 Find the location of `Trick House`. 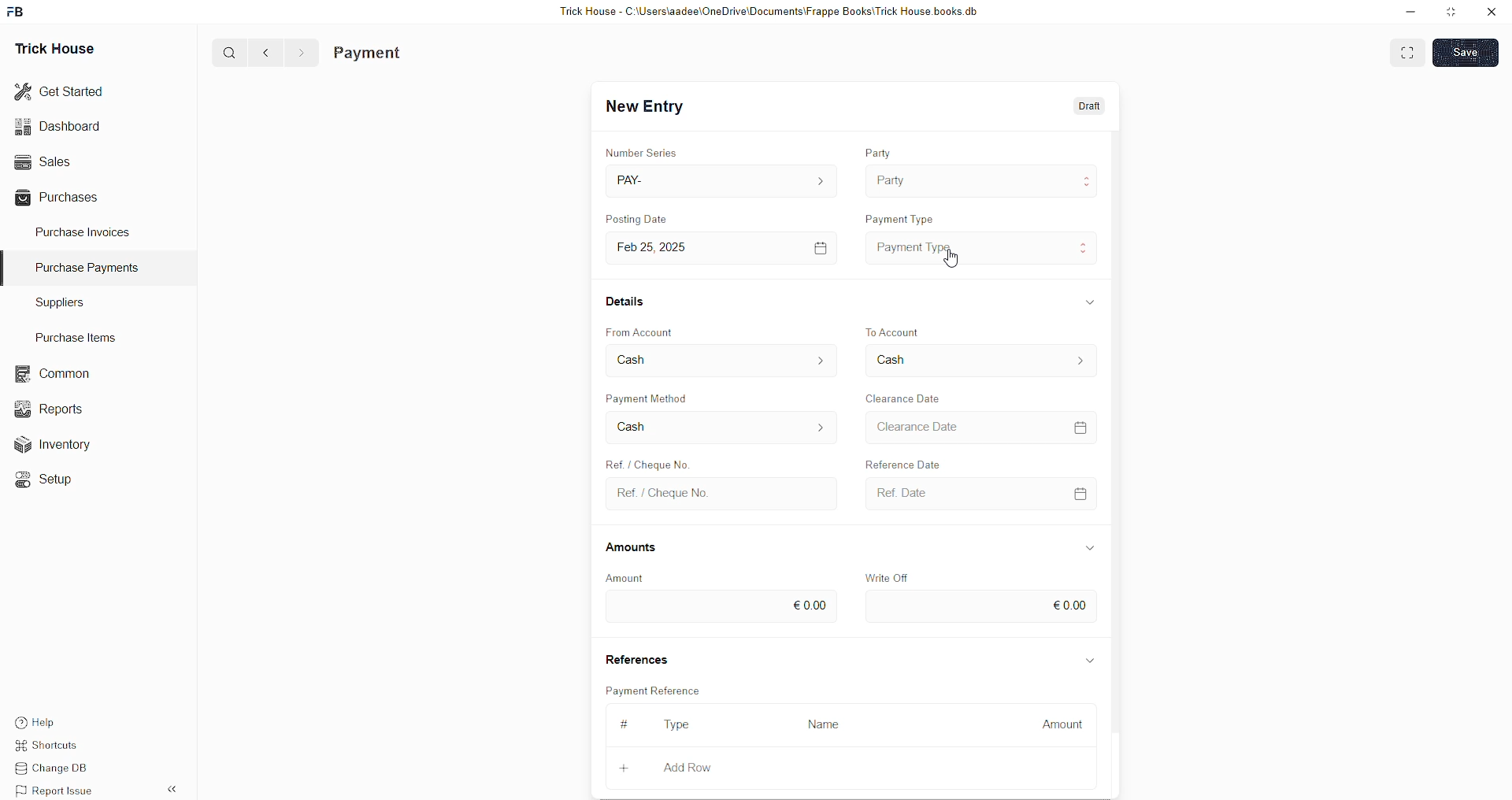

Trick House is located at coordinates (50, 47).